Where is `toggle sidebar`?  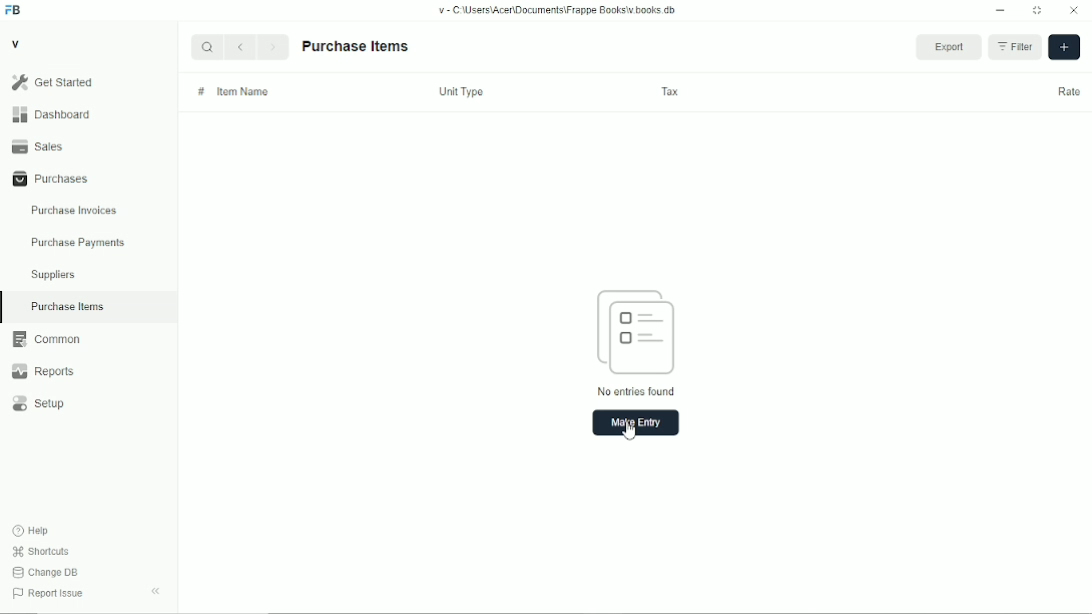 toggle sidebar is located at coordinates (157, 591).